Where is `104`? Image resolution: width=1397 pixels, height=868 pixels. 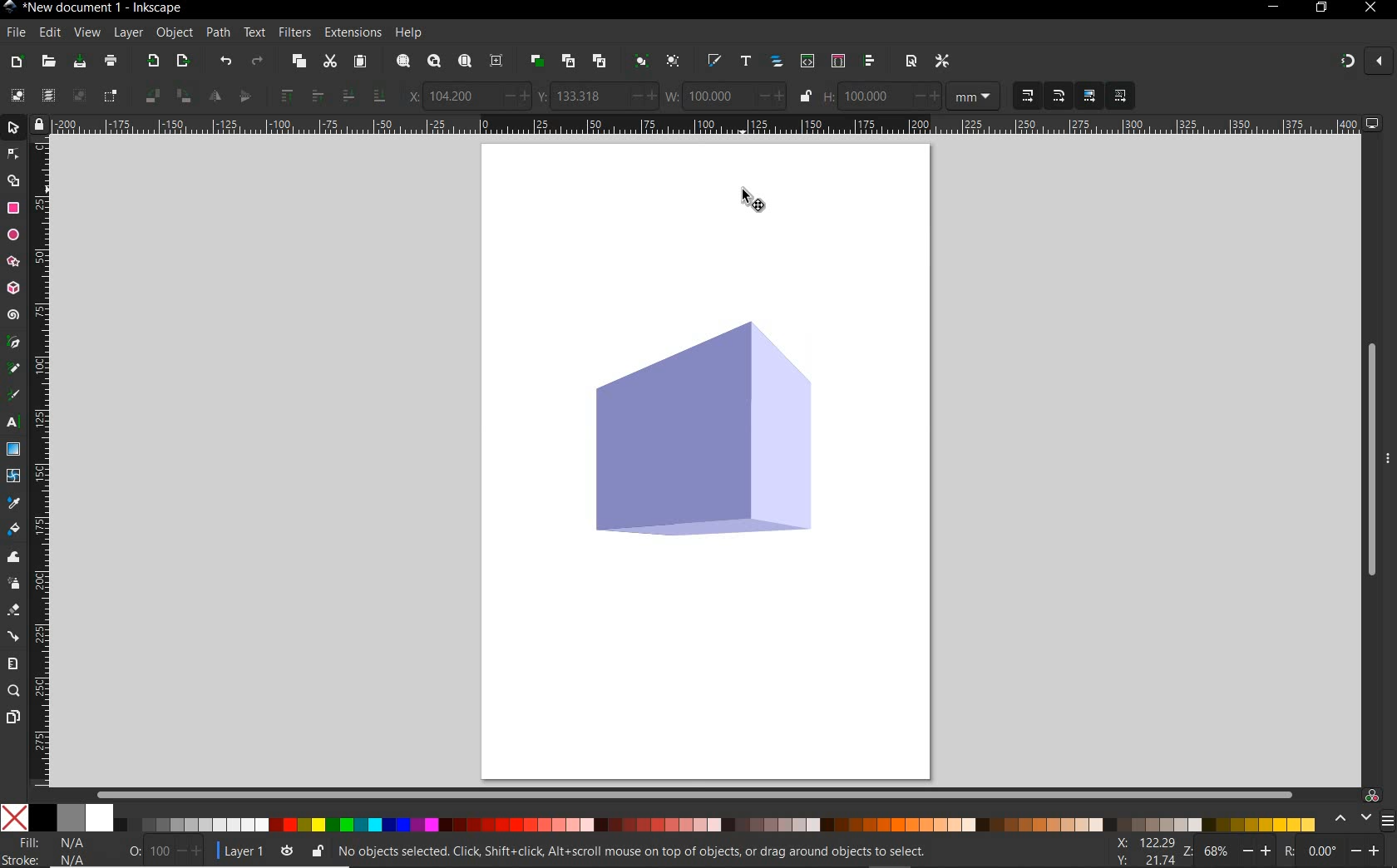 104 is located at coordinates (462, 96).